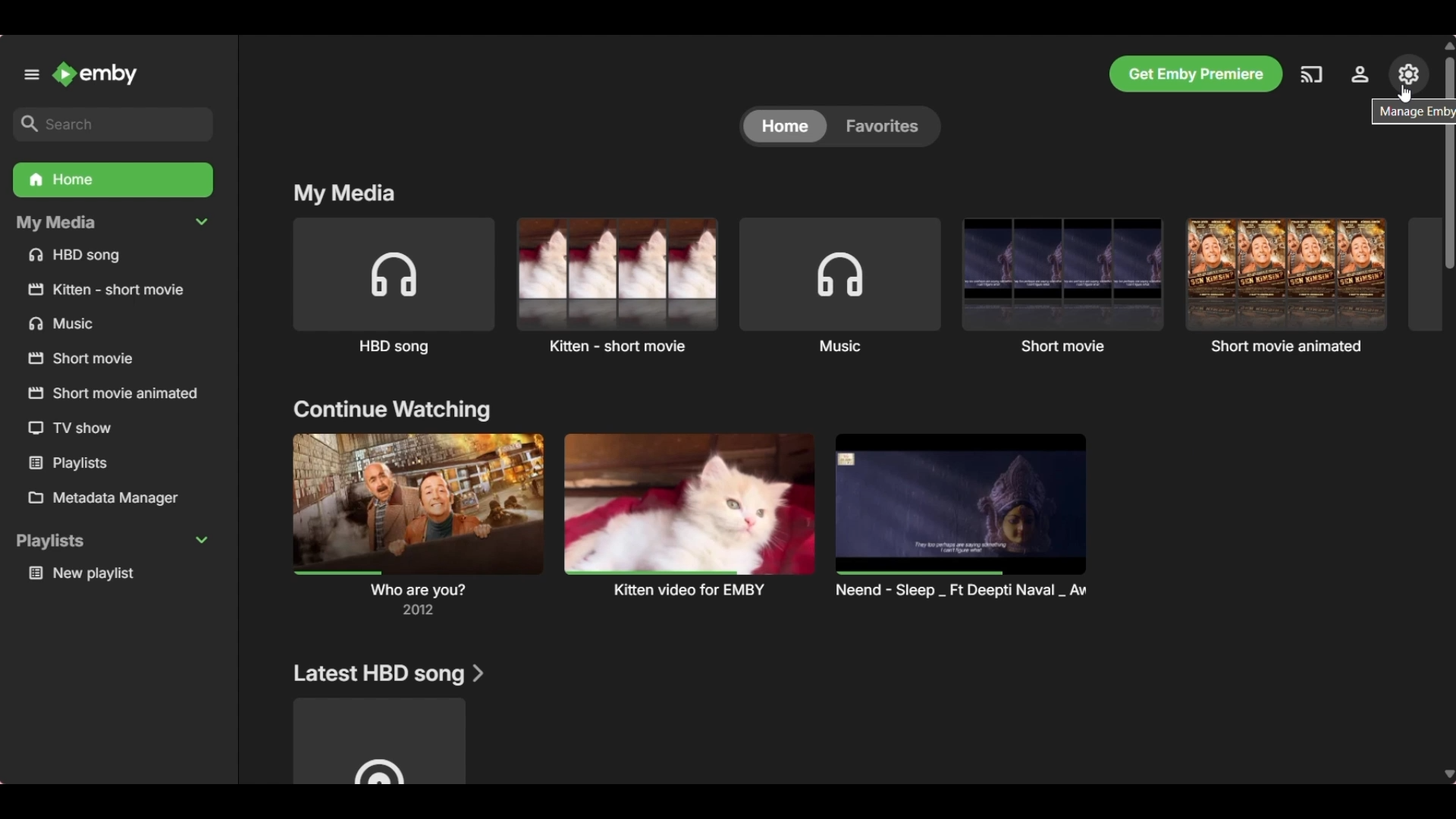 This screenshot has height=819, width=1456. I want to click on cursor, so click(1403, 94).